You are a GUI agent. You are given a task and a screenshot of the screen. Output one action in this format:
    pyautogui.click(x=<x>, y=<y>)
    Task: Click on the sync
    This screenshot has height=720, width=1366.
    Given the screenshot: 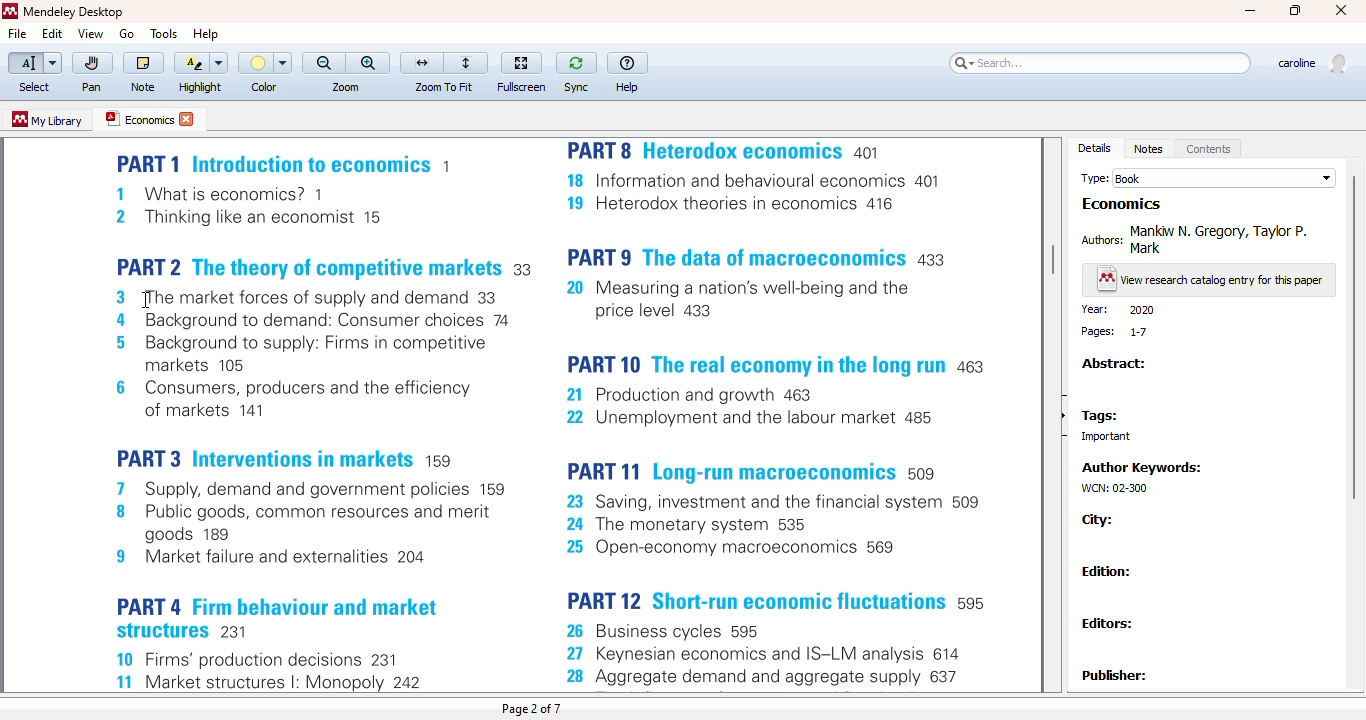 What is the action you would take?
    pyautogui.click(x=576, y=87)
    